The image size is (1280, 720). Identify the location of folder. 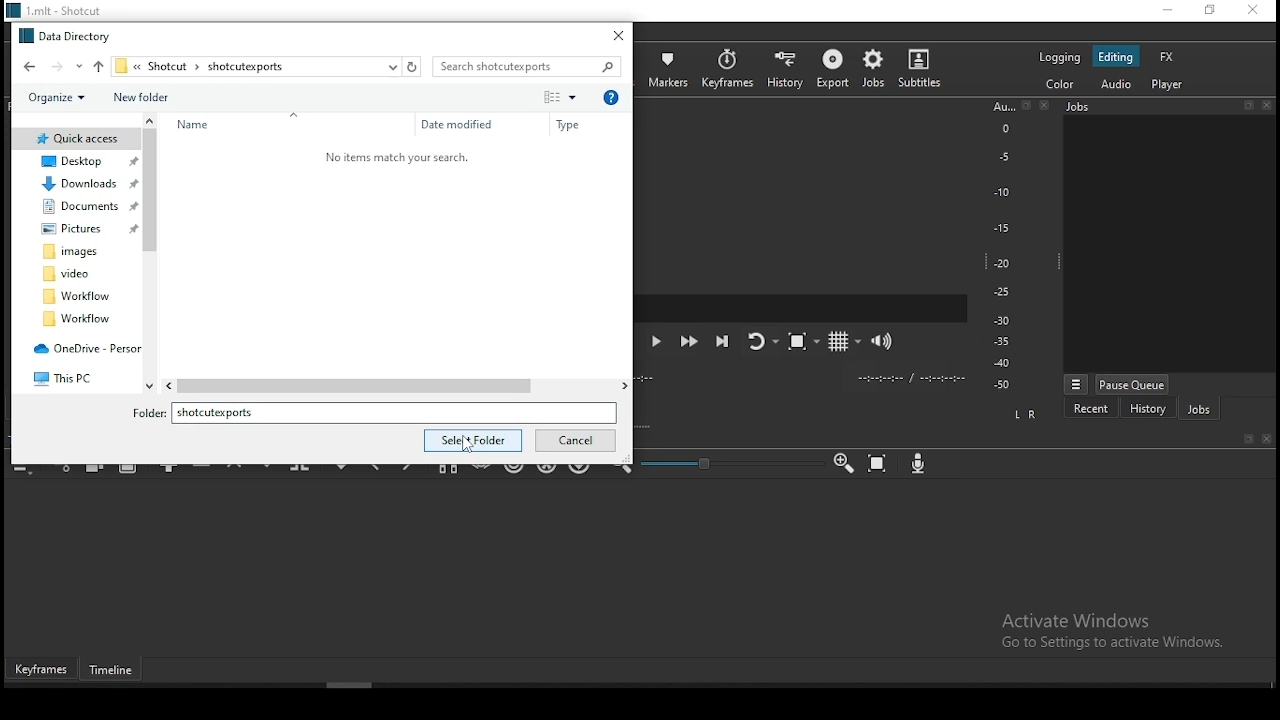
(379, 412).